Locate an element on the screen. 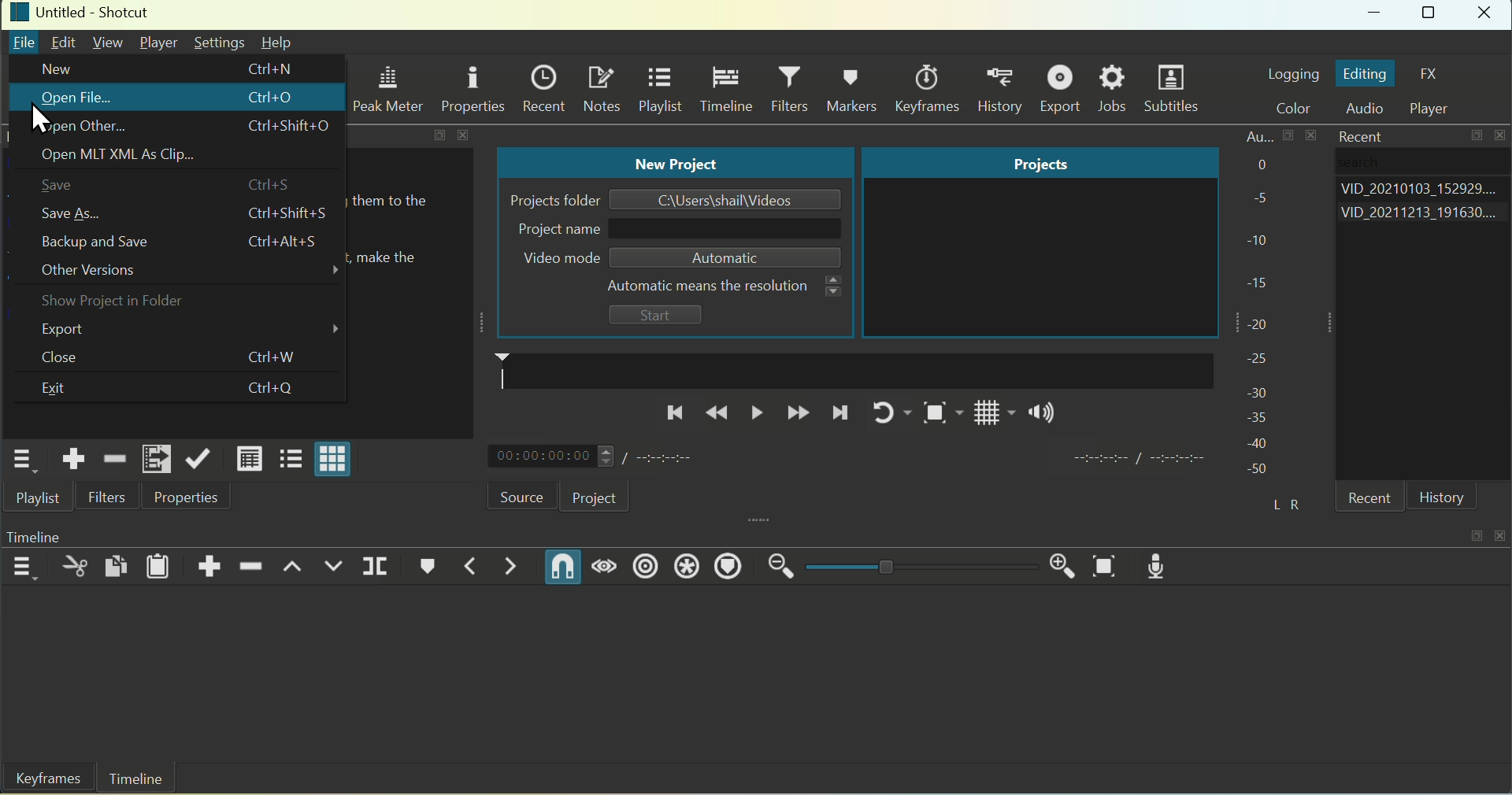 The image size is (1512, 795). Ripple All Tracks is located at coordinates (685, 568).